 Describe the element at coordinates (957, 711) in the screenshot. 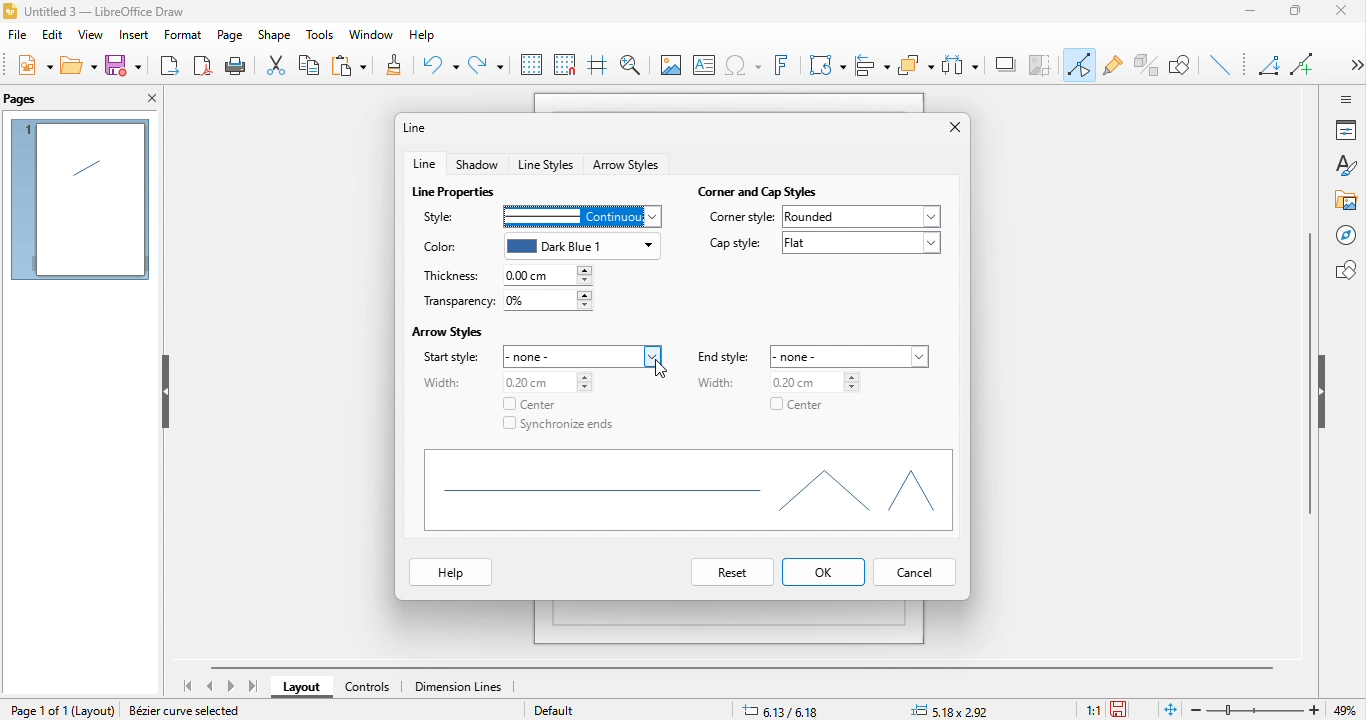

I see `5.18x2.92` at that location.